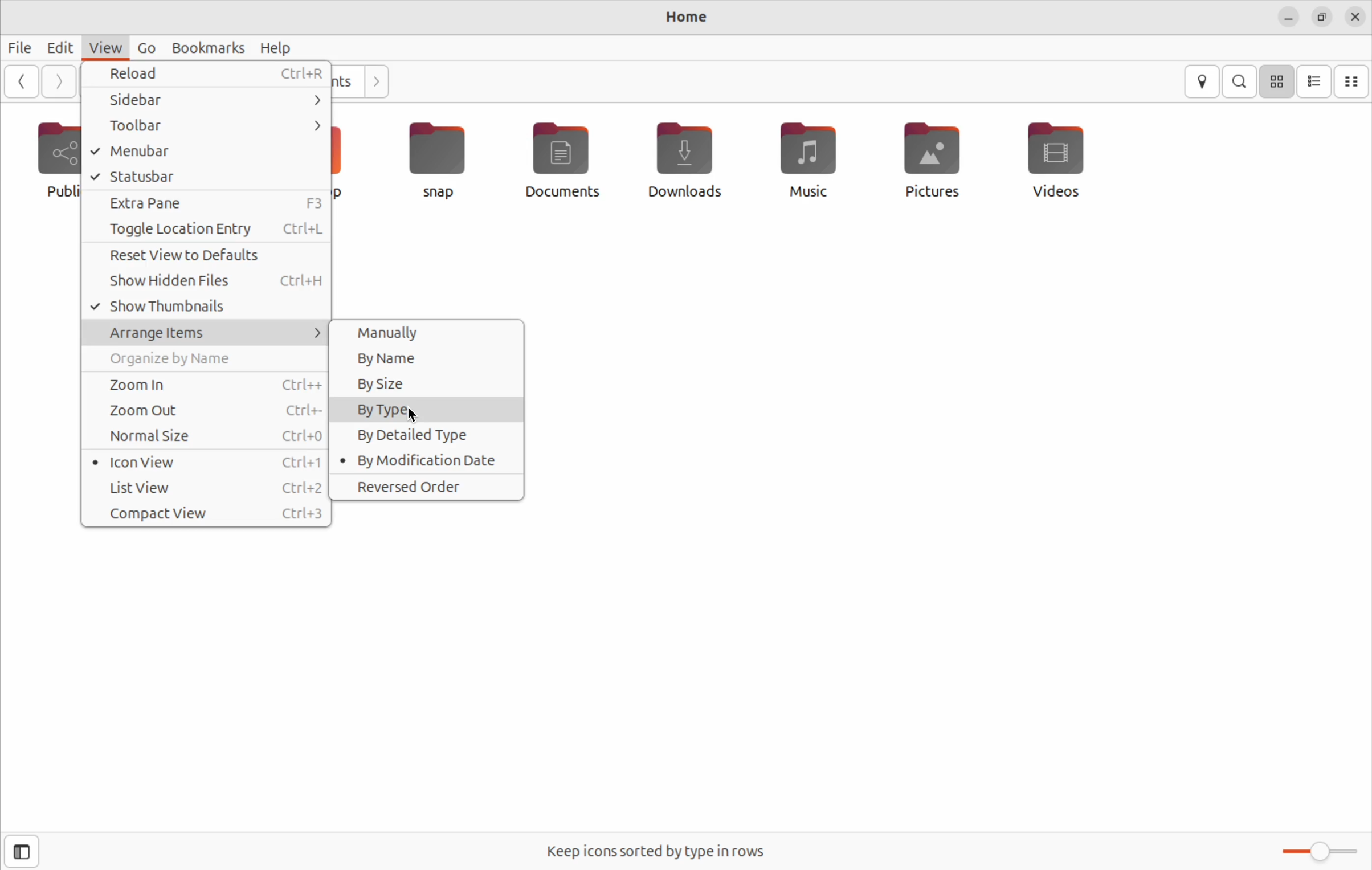 The height and width of the screenshot is (870, 1372). Describe the element at coordinates (208, 204) in the screenshot. I see `extra pane` at that location.